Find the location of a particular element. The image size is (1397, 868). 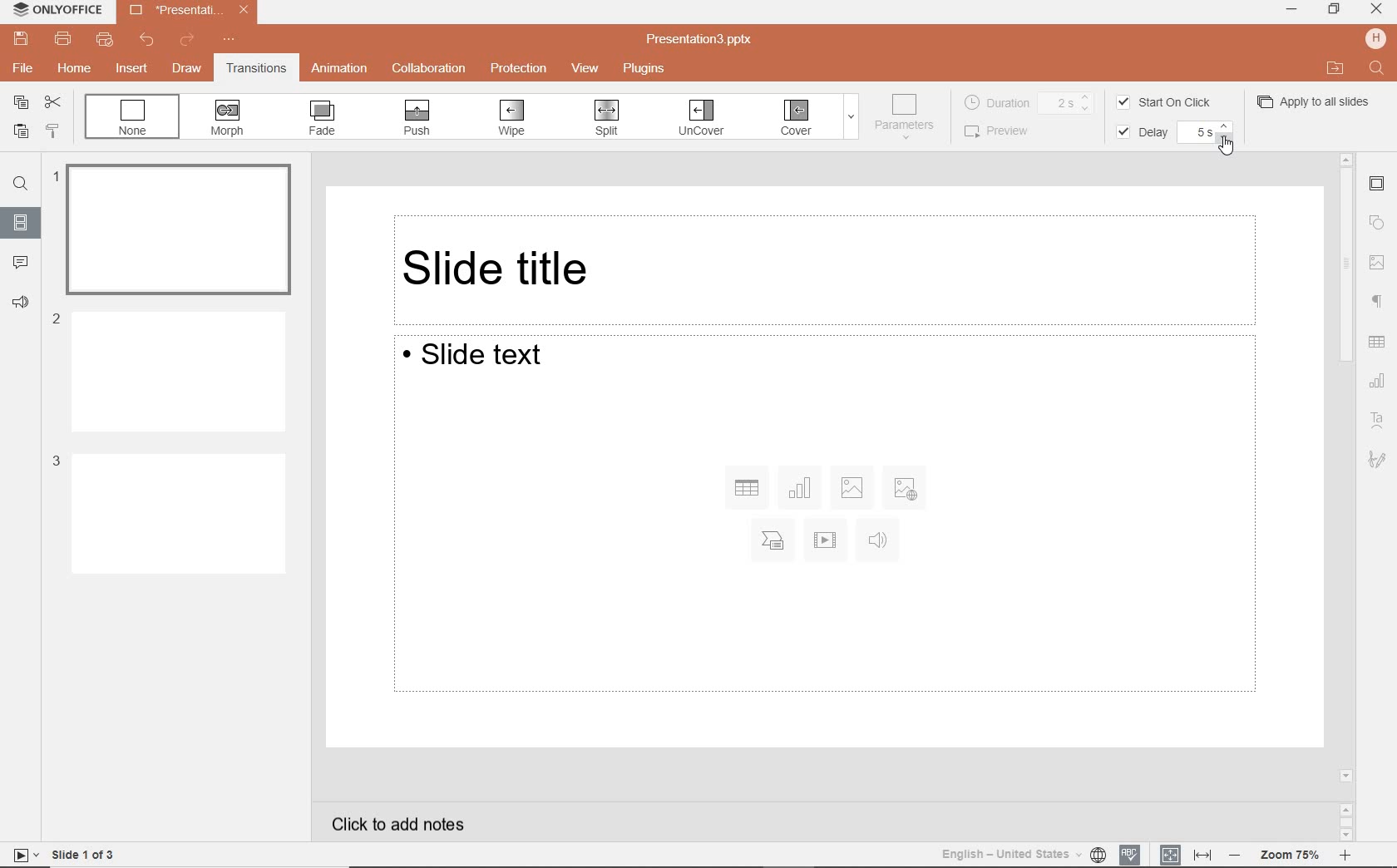

cut is located at coordinates (52, 104).